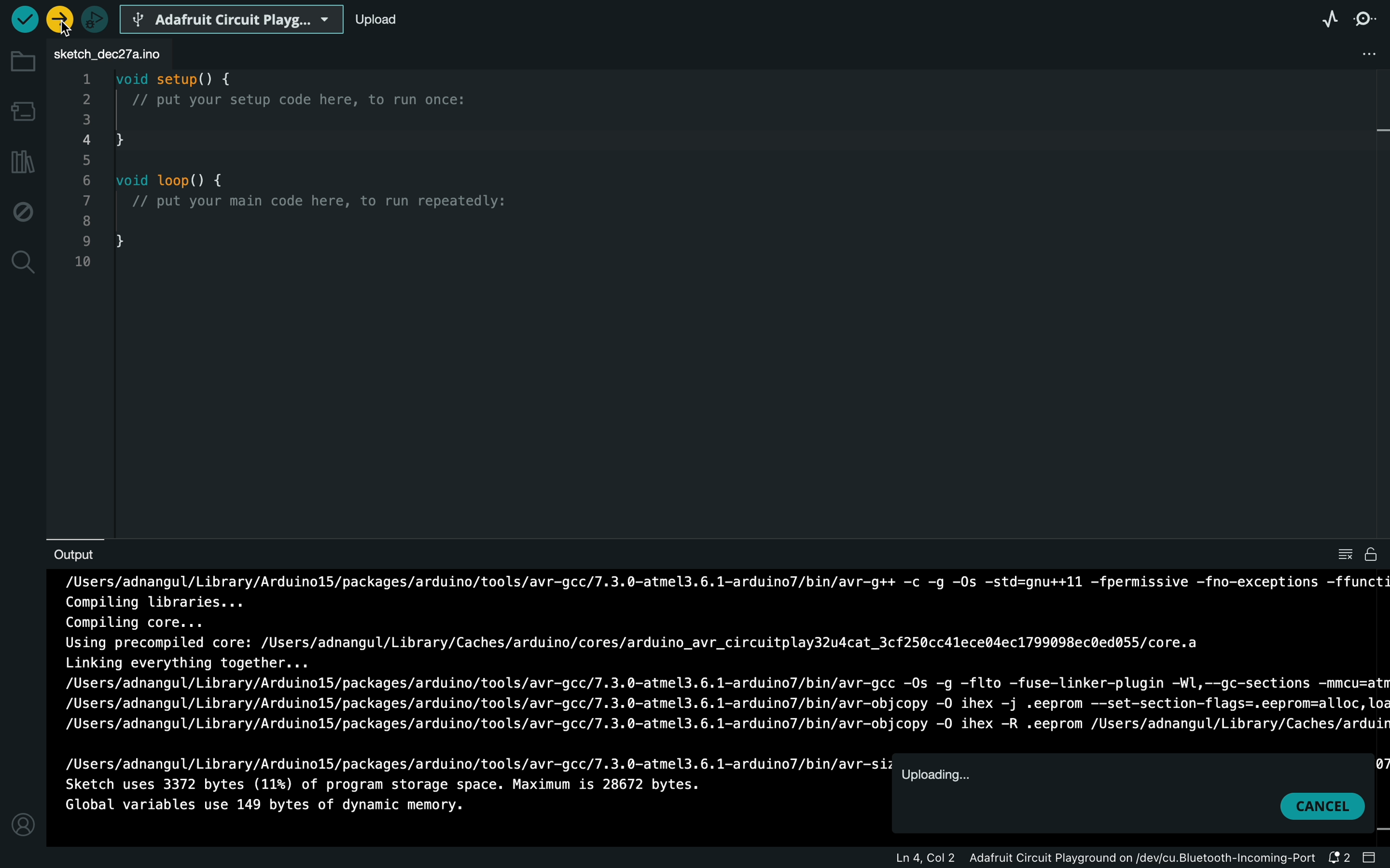 Image resolution: width=1390 pixels, height=868 pixels. I want to click on output, so click(71, 555).